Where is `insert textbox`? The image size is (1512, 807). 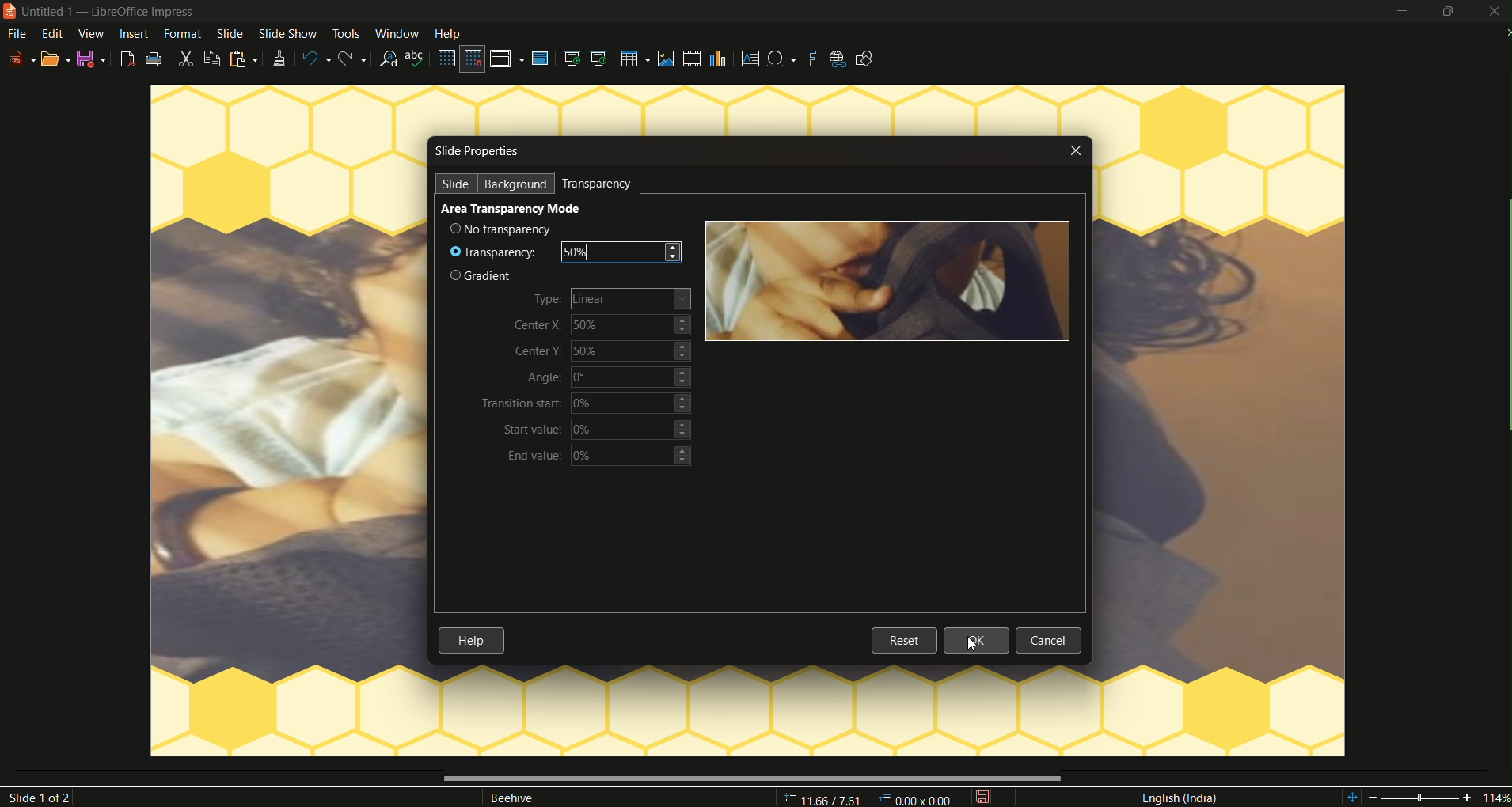 insert textbox is located at coordinates (750, 58).